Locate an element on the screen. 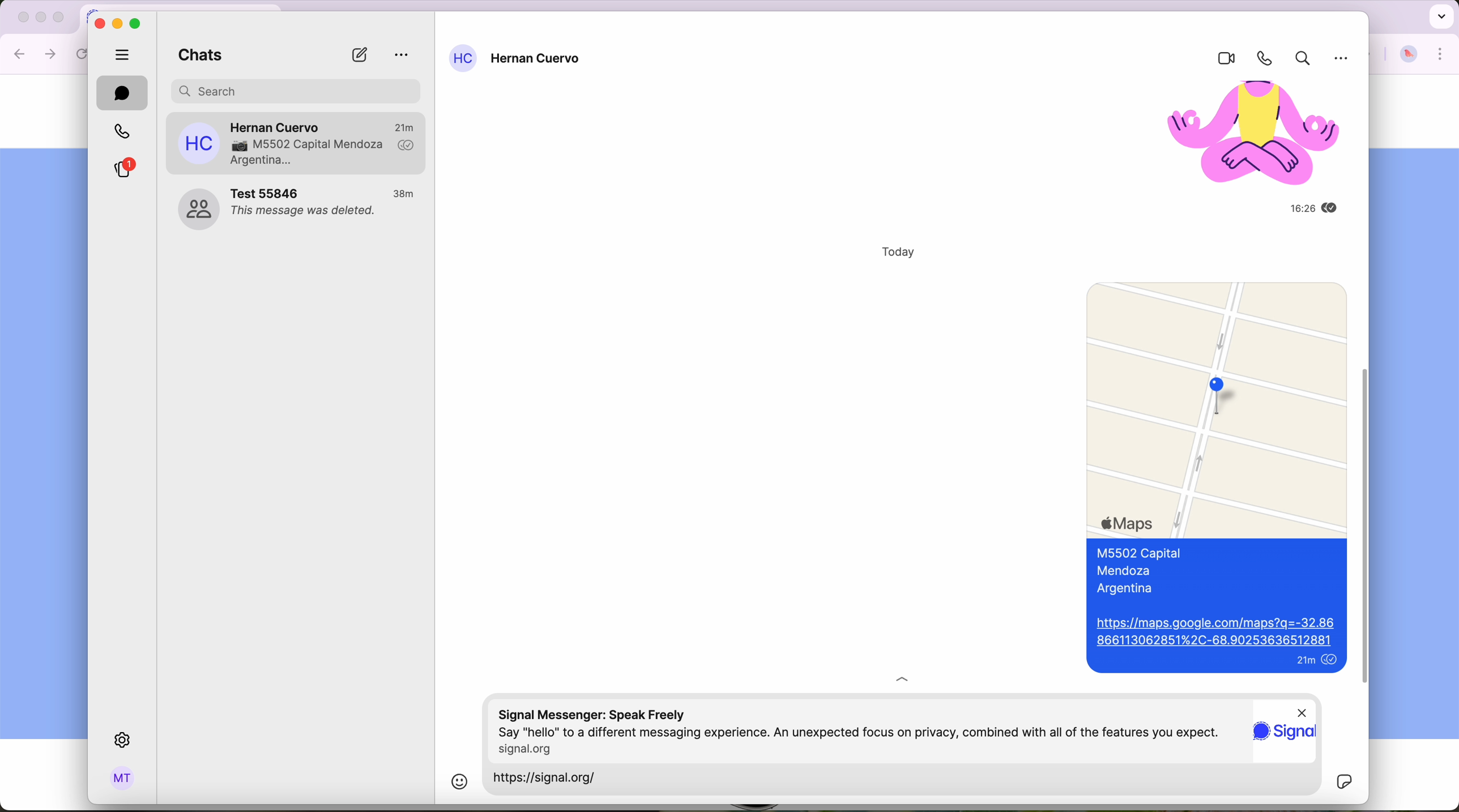 The image size is (1459, 812). Say "hello" to a different messaging experience. An unexpected focus on privacy, combined with all of the features you expect. is located at coordinates (861, 732).